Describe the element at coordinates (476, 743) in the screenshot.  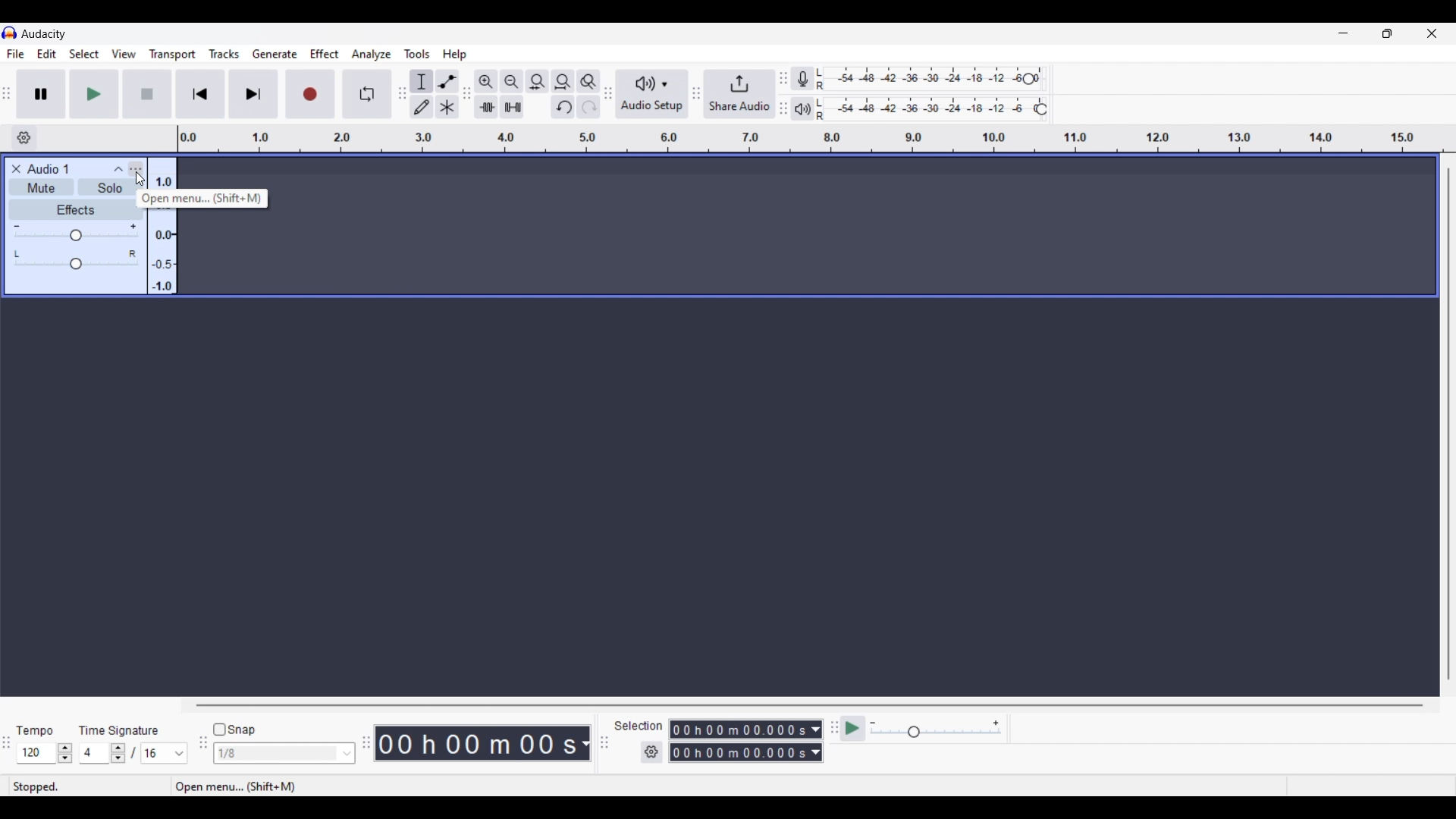
I see `Shows recorded duration` at that location.